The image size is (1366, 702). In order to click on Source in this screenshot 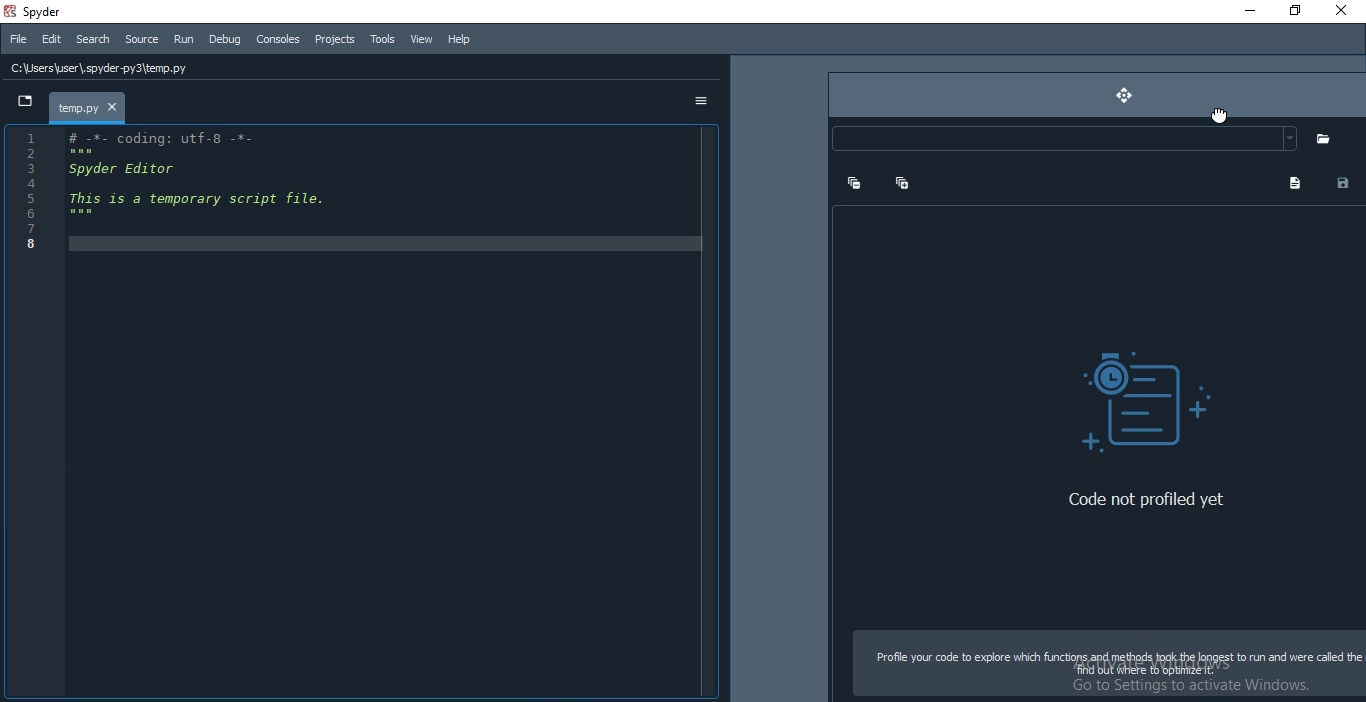, I will do `click(142, 40)`.